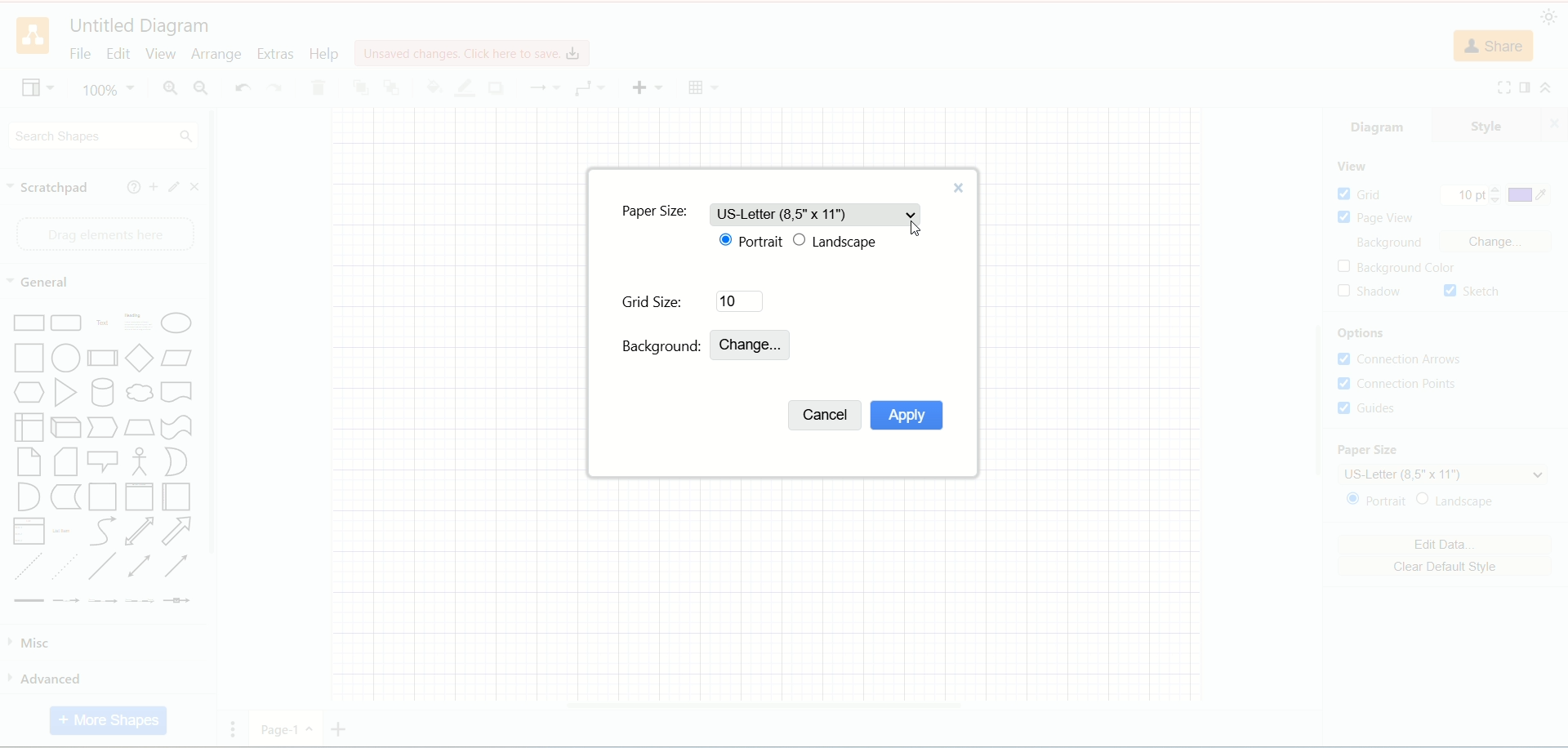  Describe the element at coordinates (1552, 89) in the screenshot. I see `collapse/expand` at that location.